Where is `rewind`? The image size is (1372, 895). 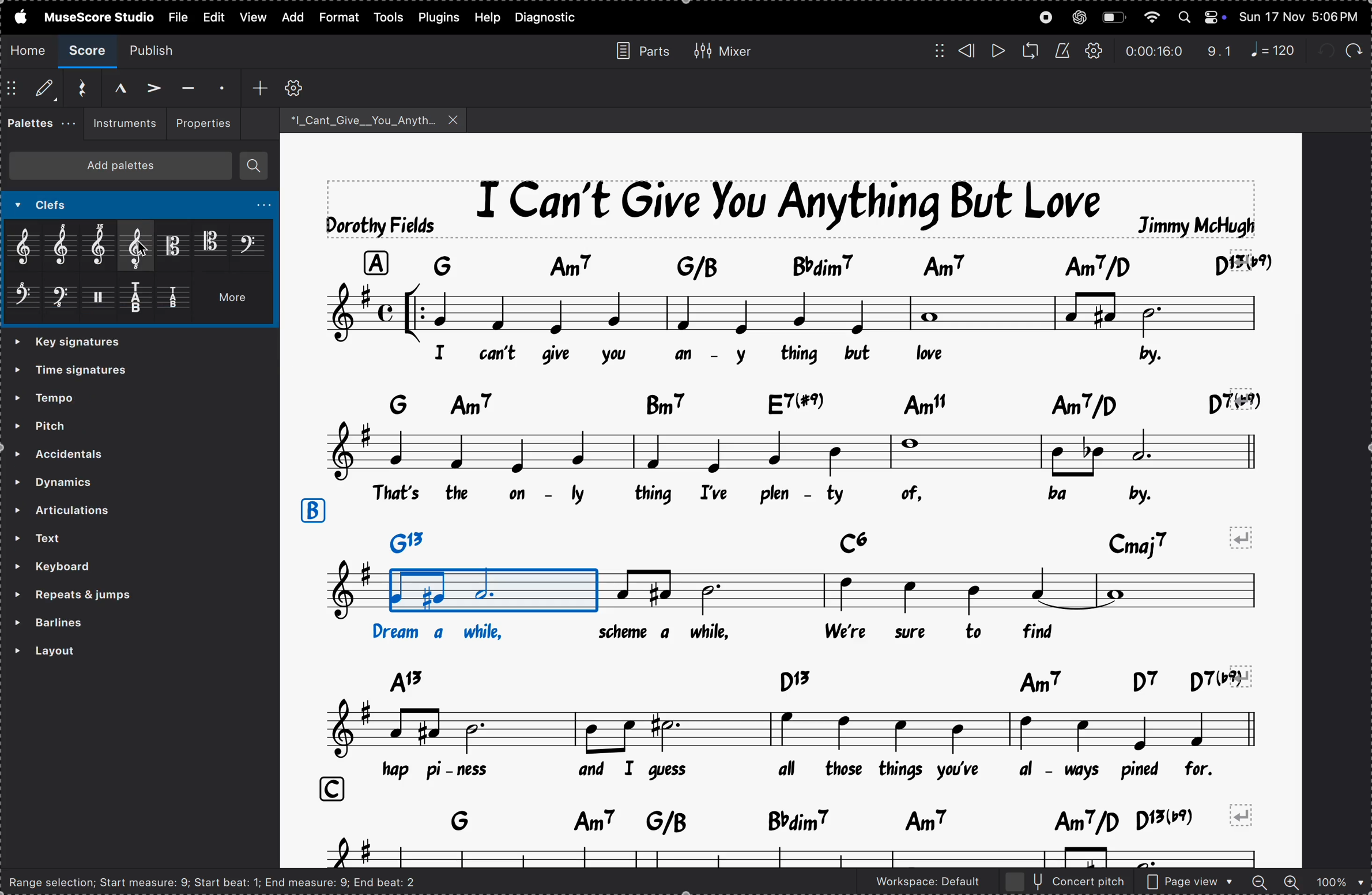 rewind is located at coordinates (967, 51).